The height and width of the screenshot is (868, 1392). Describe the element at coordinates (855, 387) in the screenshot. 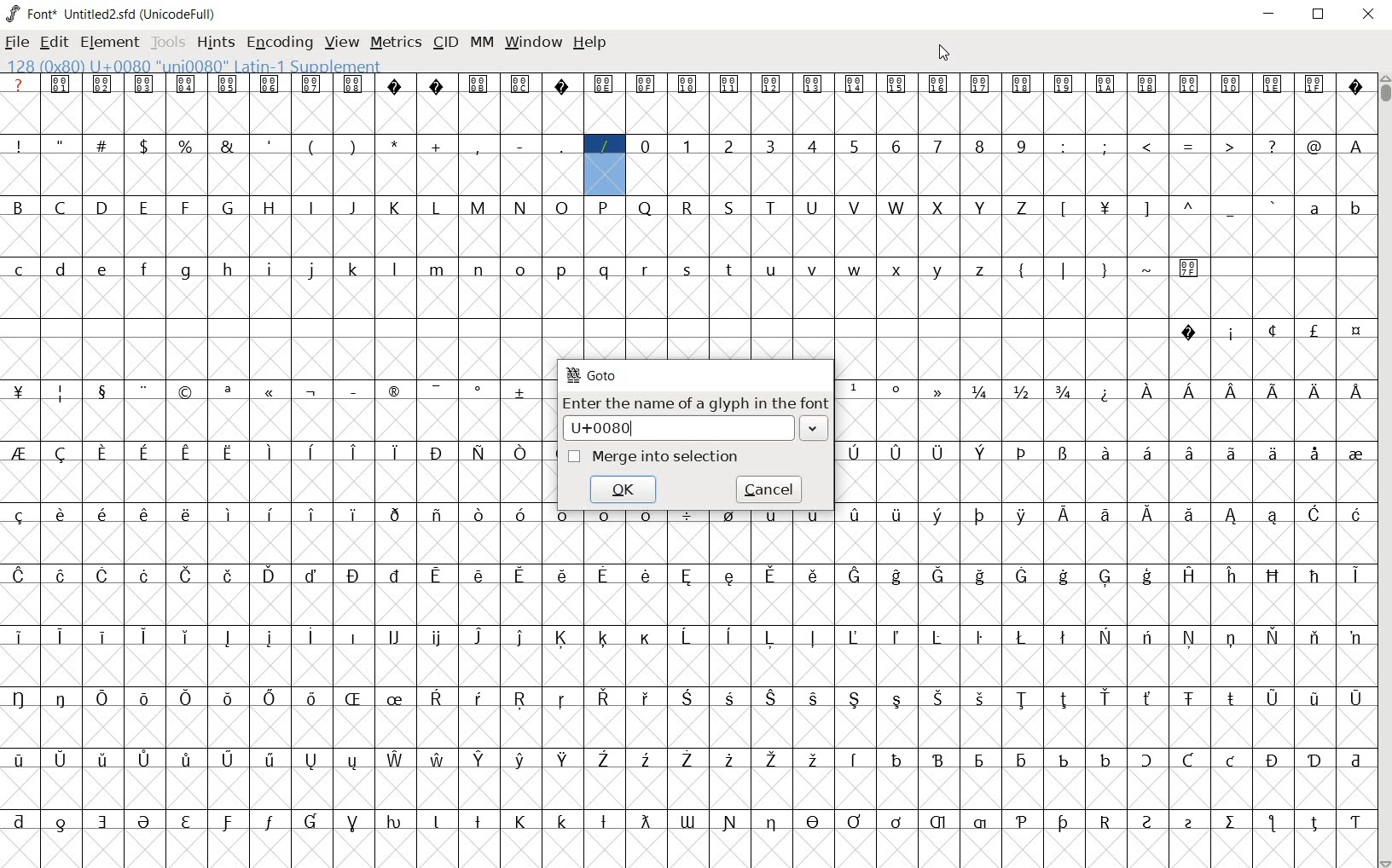

I see `glyph` at that location.